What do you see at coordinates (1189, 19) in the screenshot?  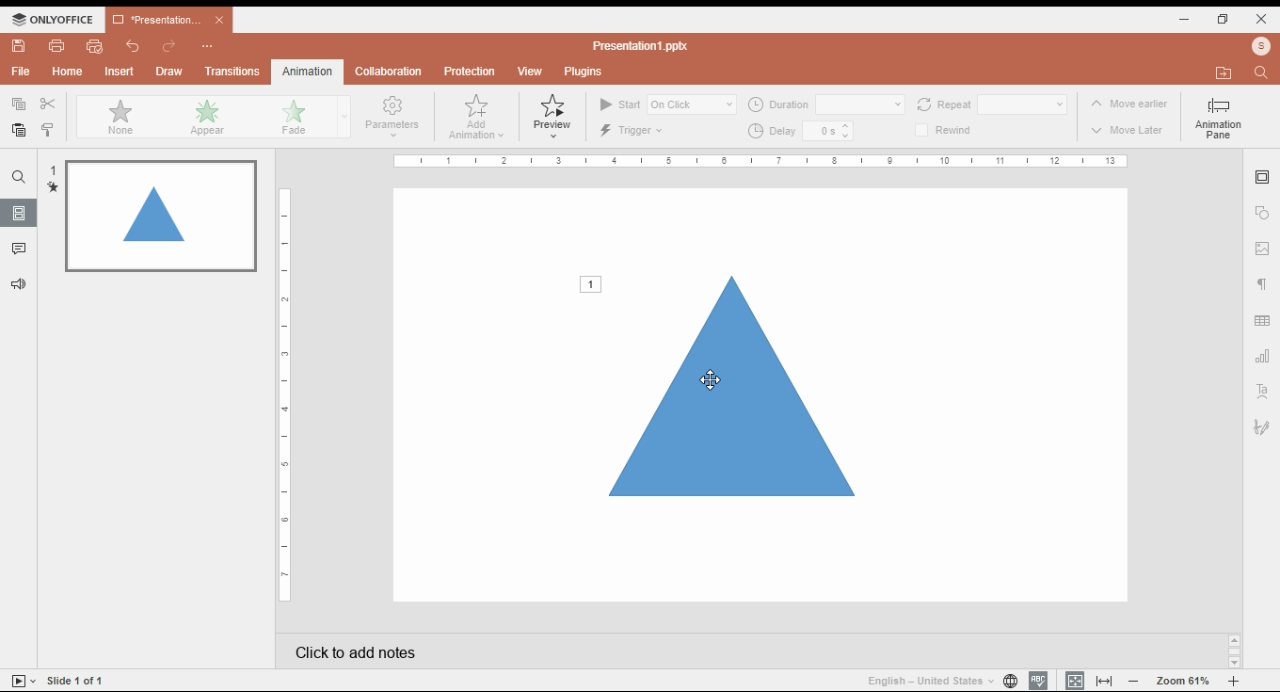 I see `minimize` at bounding box center [1189, 19].